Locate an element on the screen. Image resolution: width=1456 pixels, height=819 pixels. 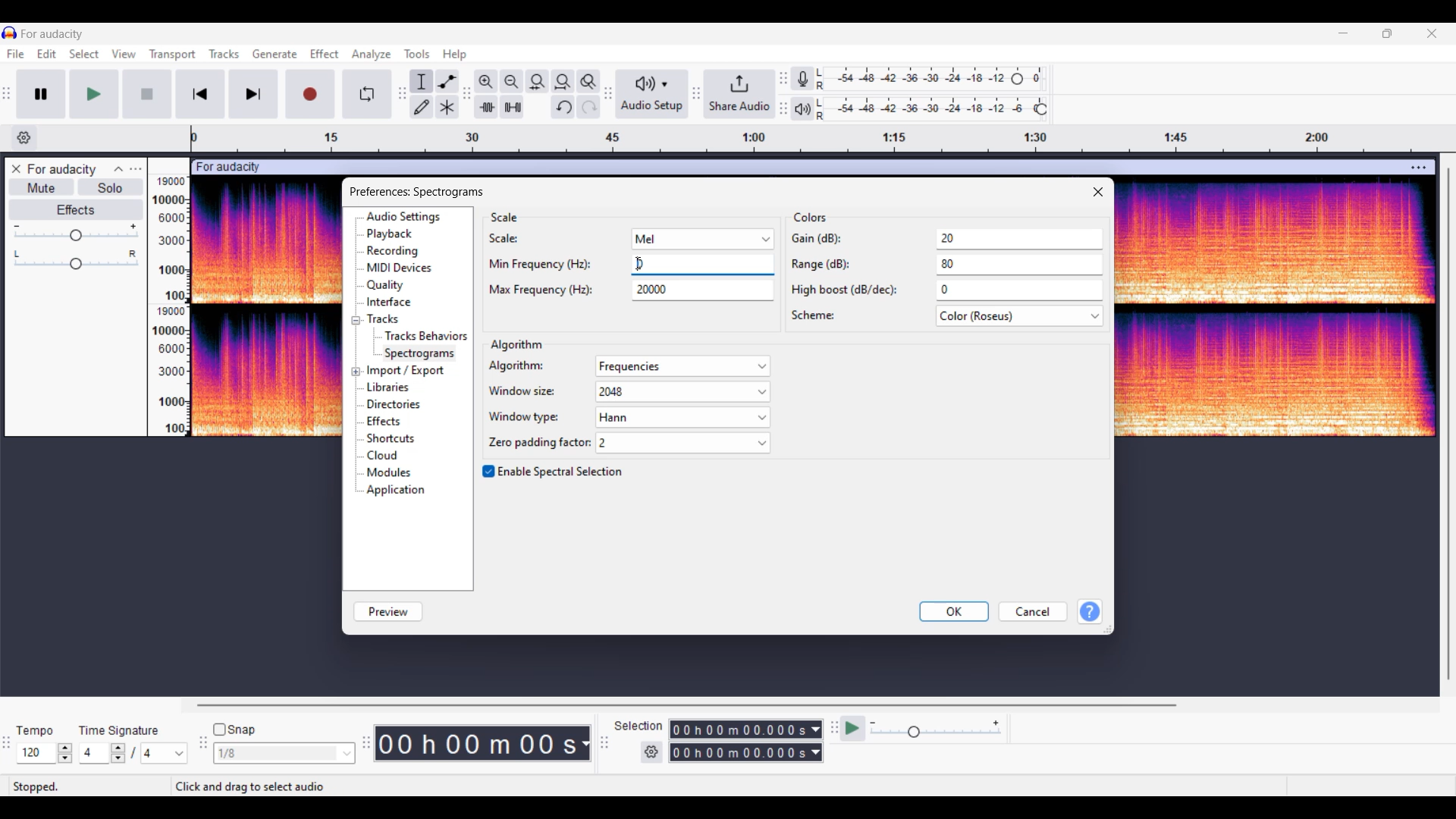
Duration measurement options is located at coordinates (585, 743).